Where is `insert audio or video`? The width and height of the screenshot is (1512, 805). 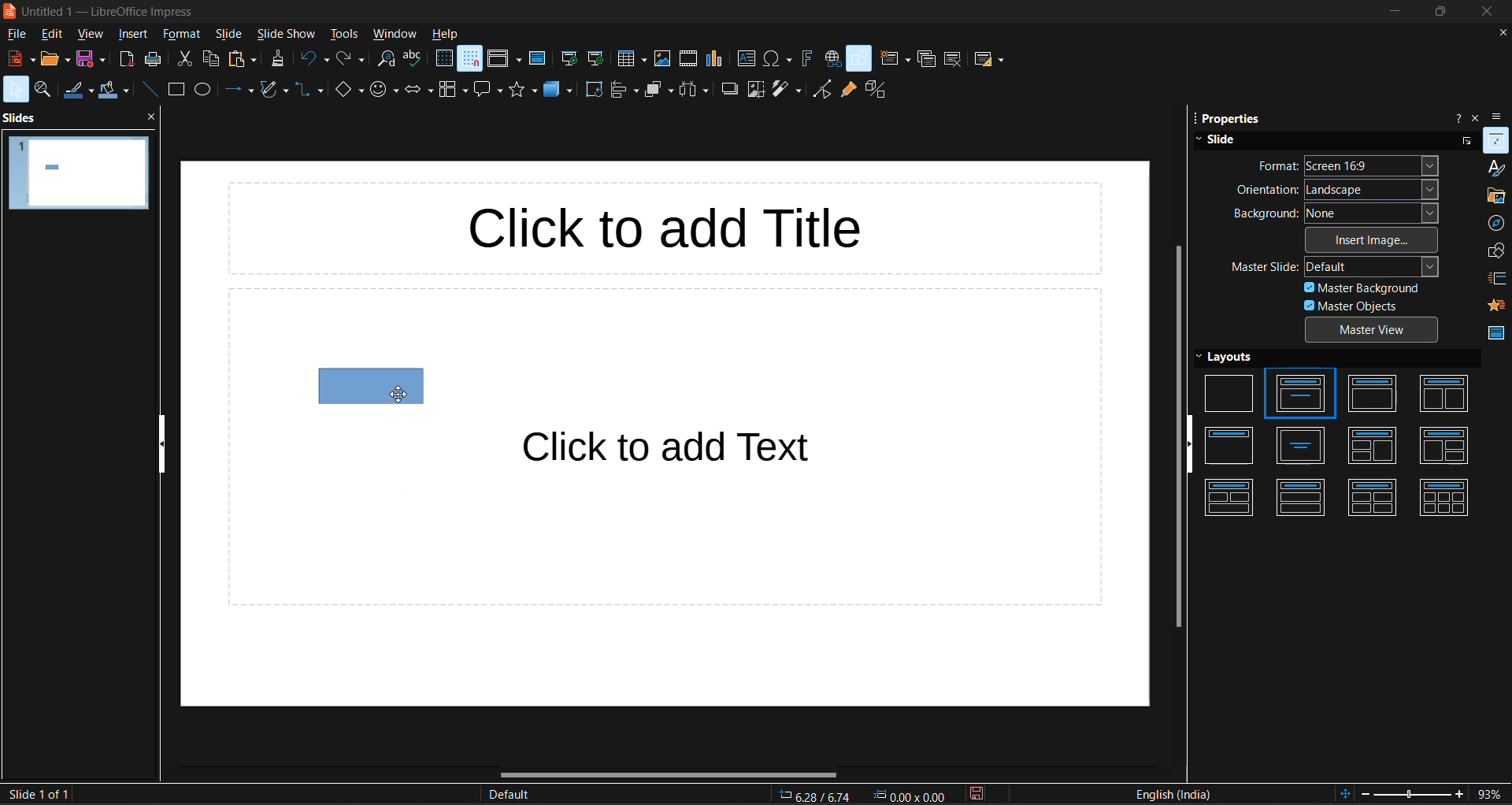
insert audio or video is located at coordinates (687, 58).